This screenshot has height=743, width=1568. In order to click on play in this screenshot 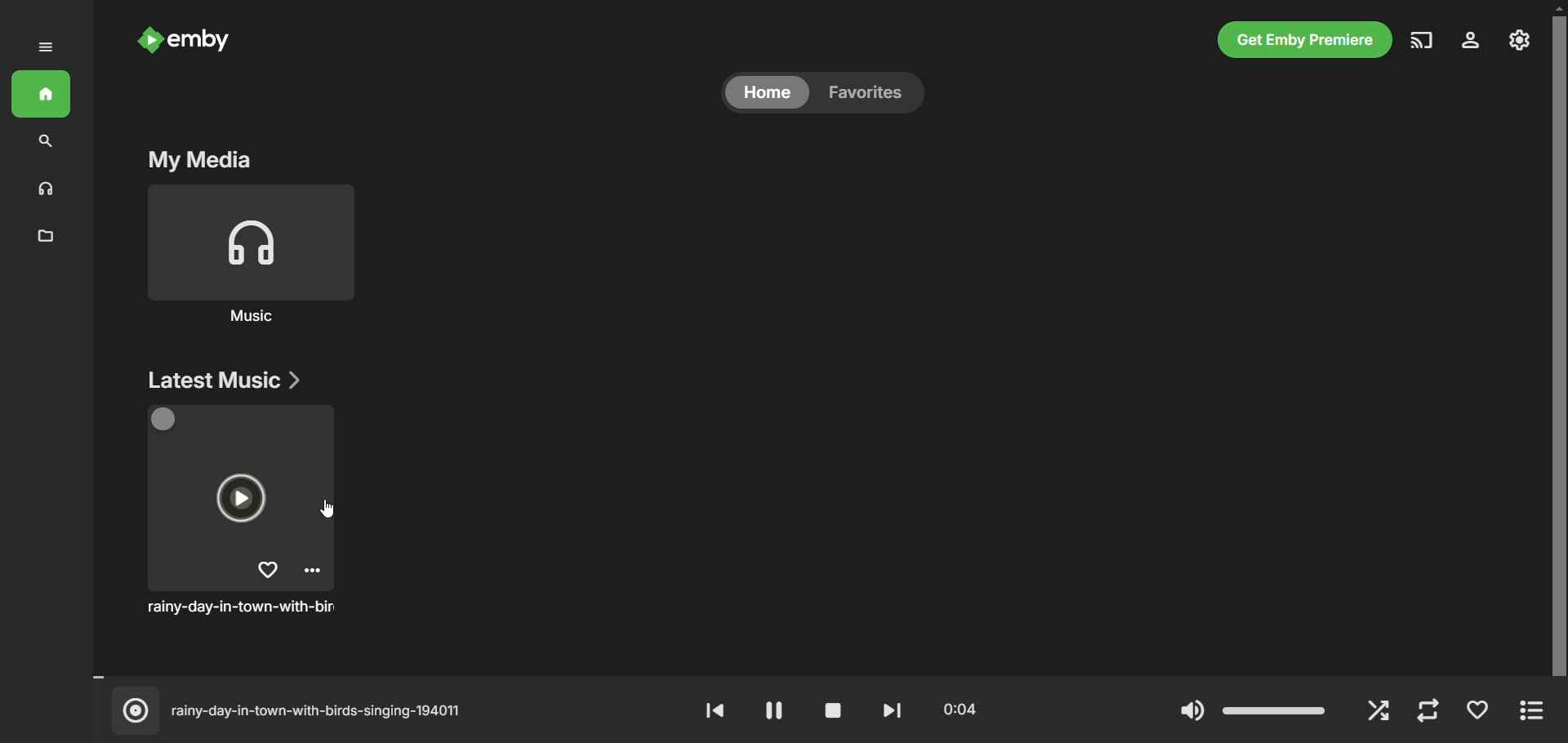, I will do `click(771, 714)`.